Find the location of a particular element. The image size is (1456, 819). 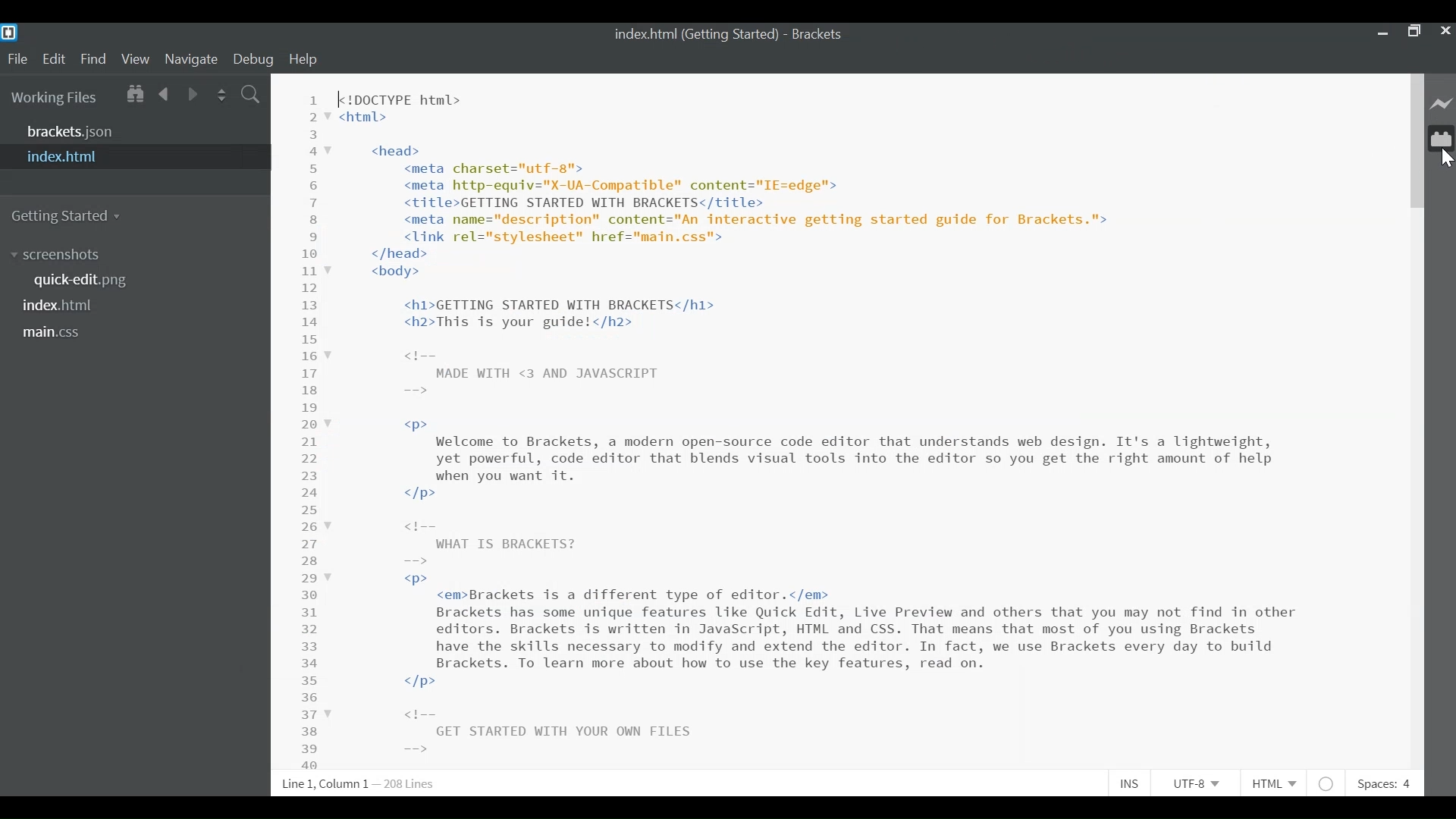

index.html is located at coordinates (66, 306).